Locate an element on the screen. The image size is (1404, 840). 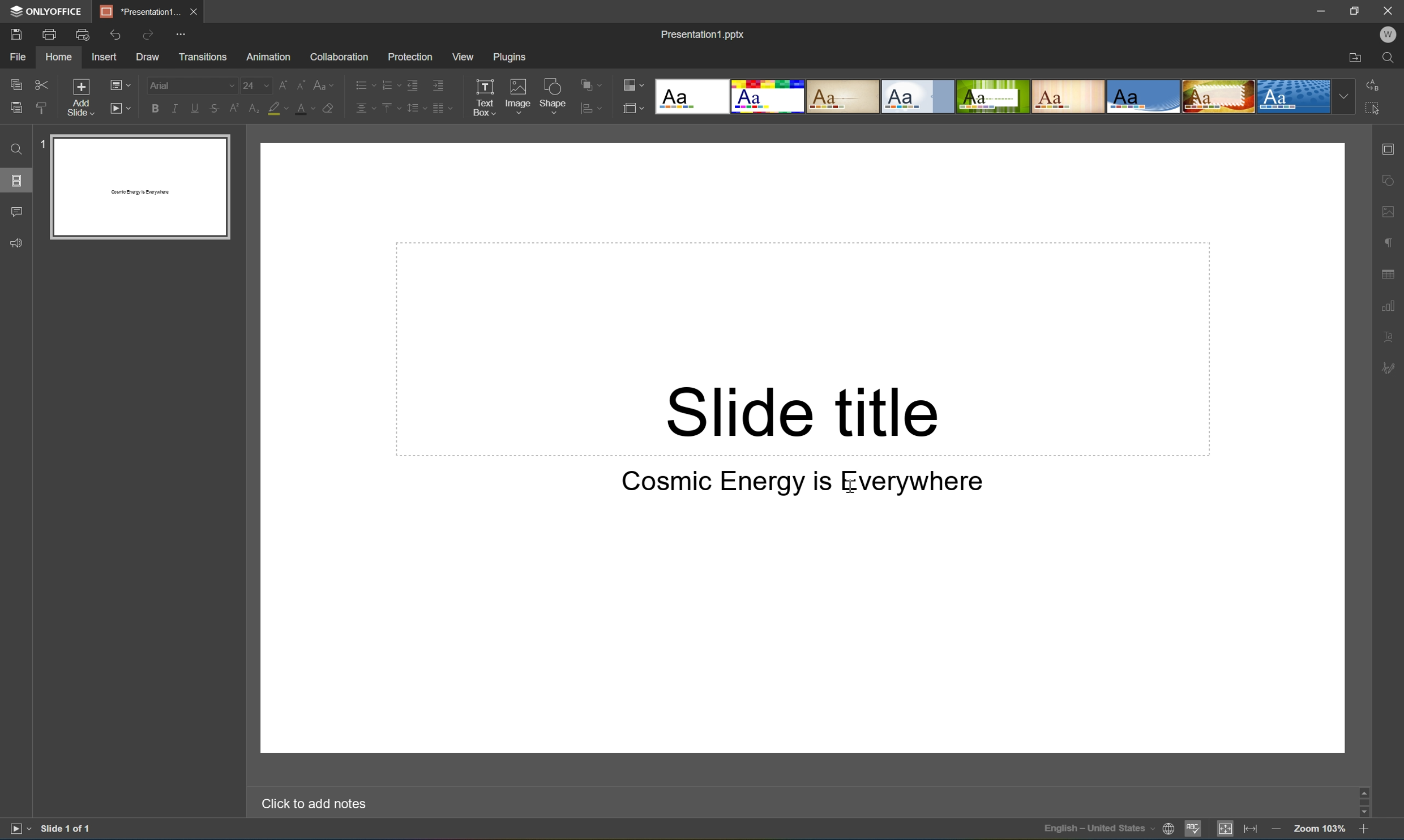
Align Horizontal is located at coordinates (364, 108).